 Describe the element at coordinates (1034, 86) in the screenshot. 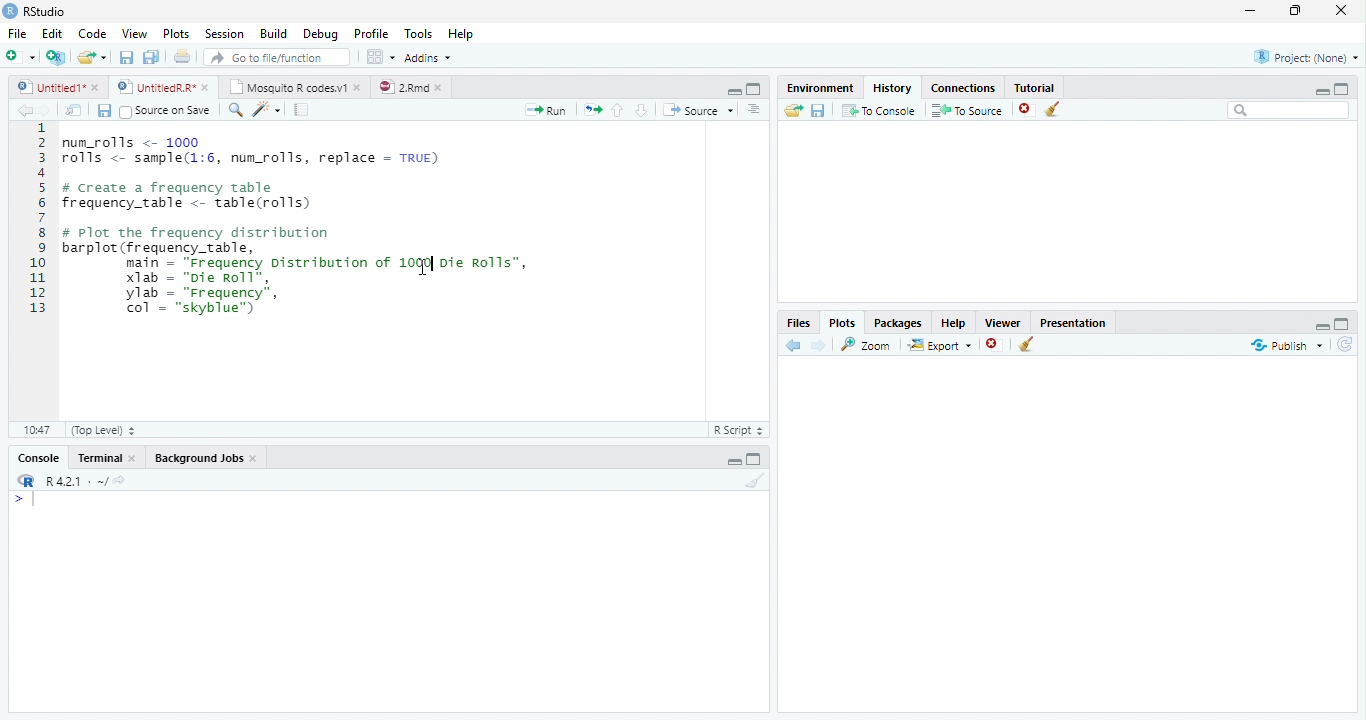

I see `Tutorial` at that location.